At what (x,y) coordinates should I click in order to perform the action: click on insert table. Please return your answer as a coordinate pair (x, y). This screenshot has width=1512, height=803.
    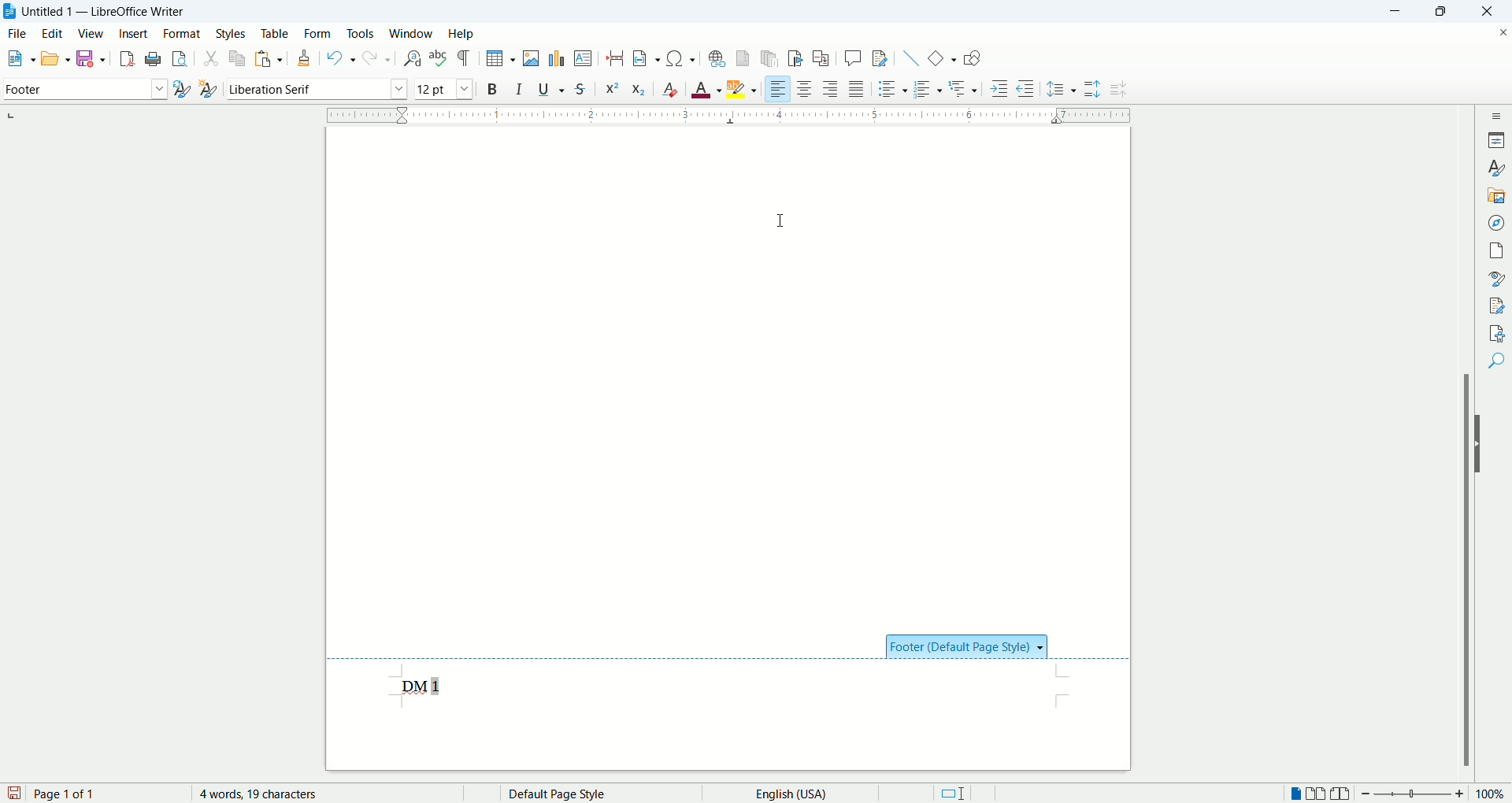
    Looking at the image, I should click on (501, 59).